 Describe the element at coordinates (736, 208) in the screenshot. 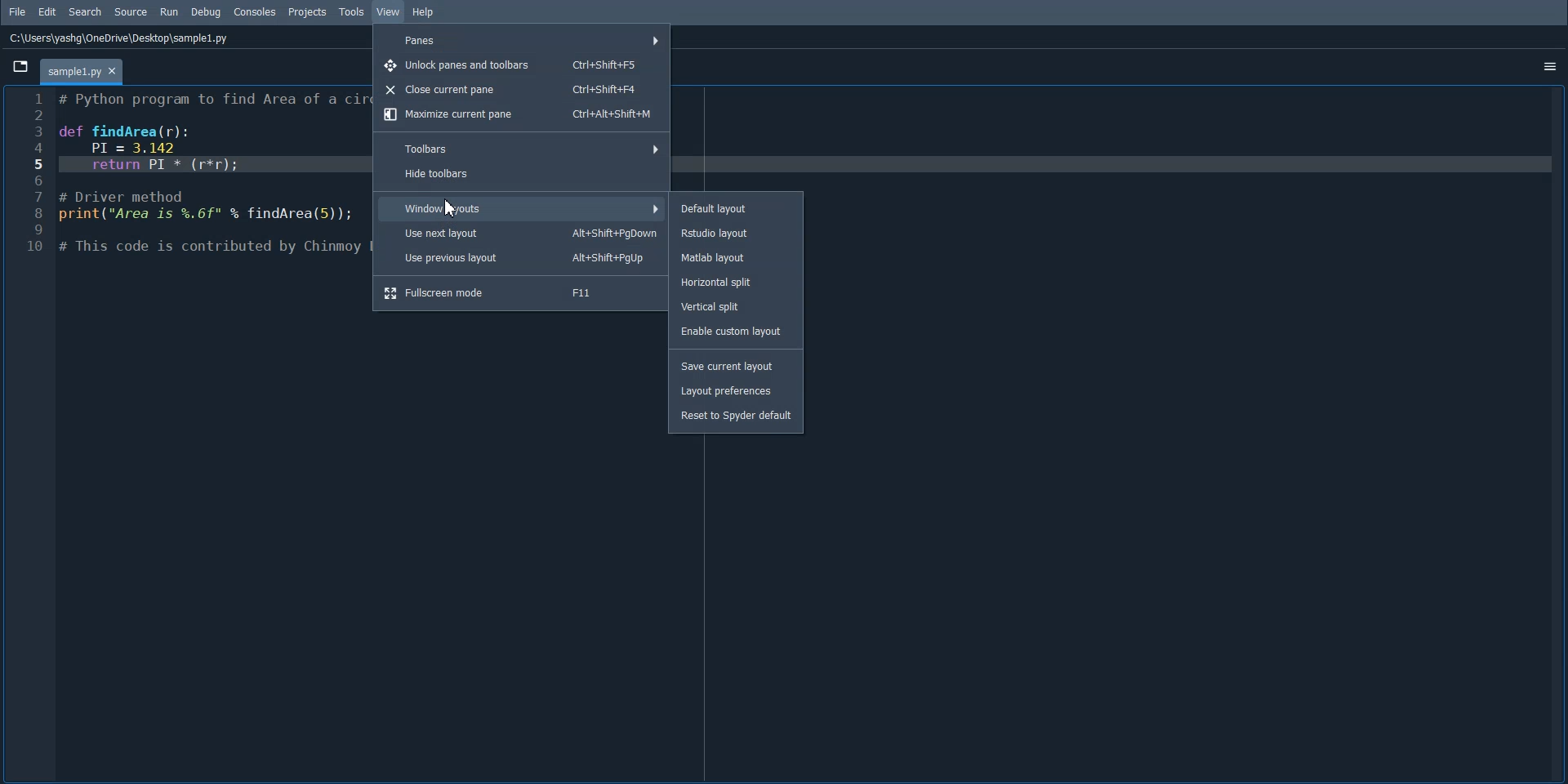

I see `Default layout` at that location.